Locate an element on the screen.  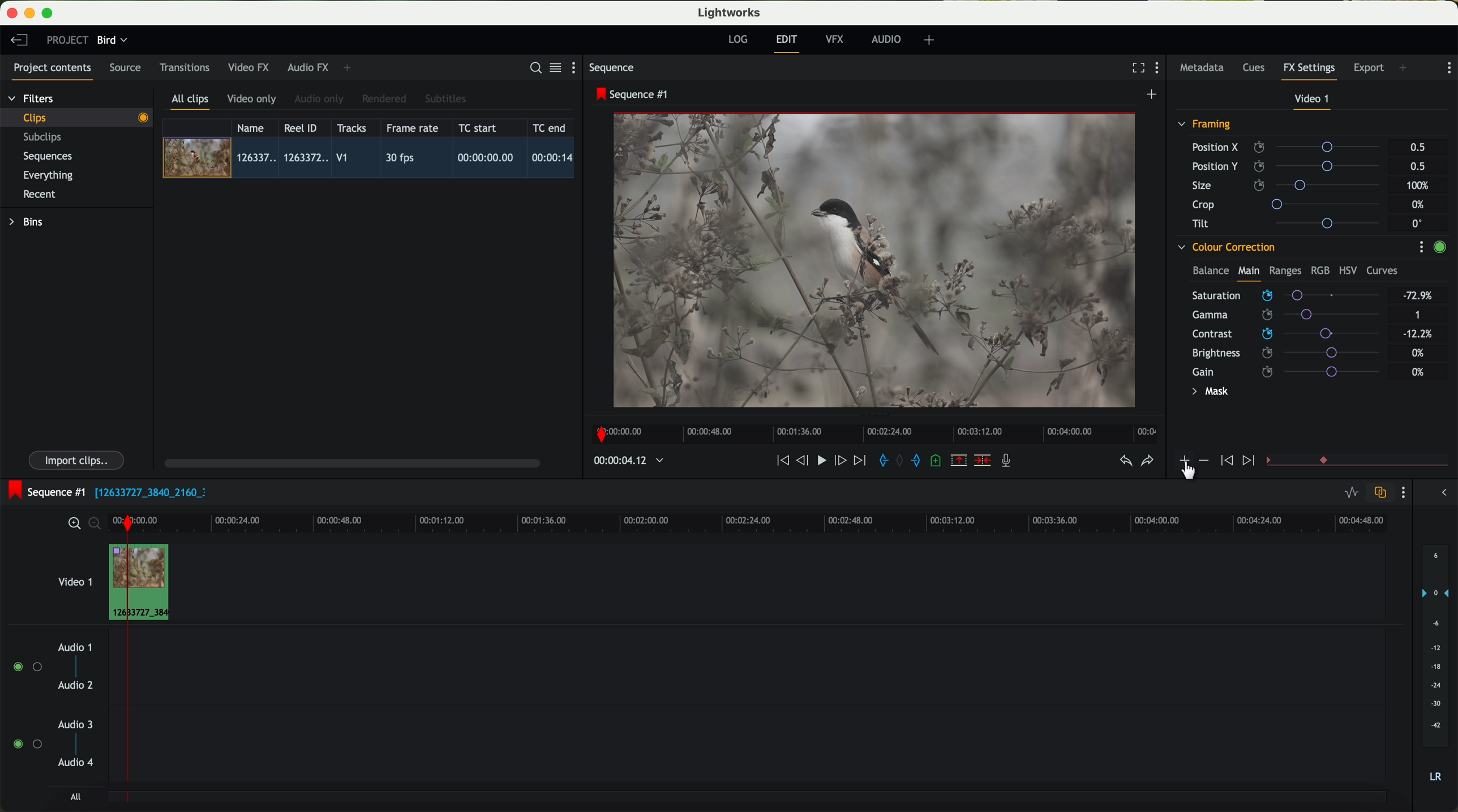
100% is located at coordinates (1421, 186).